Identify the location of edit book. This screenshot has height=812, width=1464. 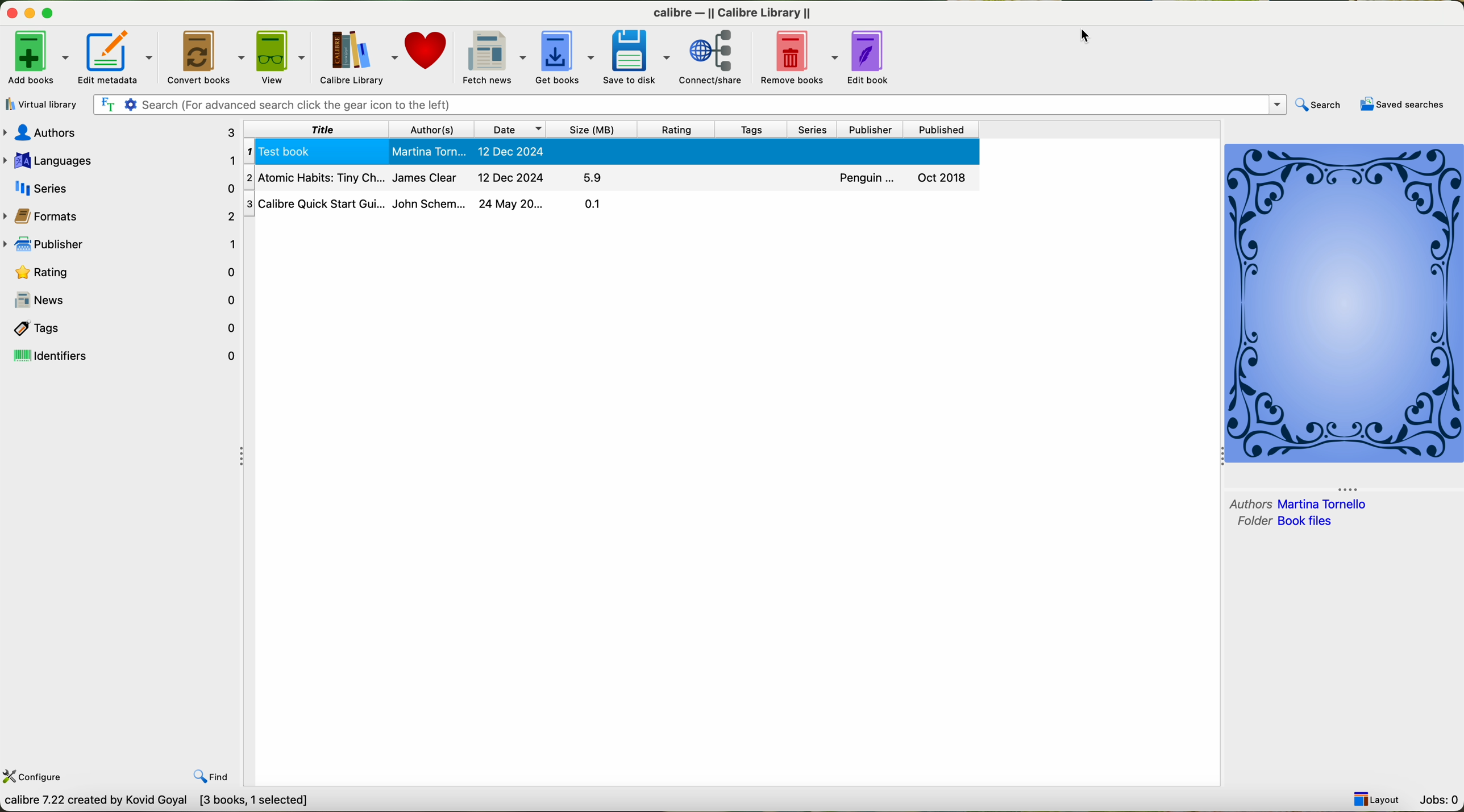
(871, 58).